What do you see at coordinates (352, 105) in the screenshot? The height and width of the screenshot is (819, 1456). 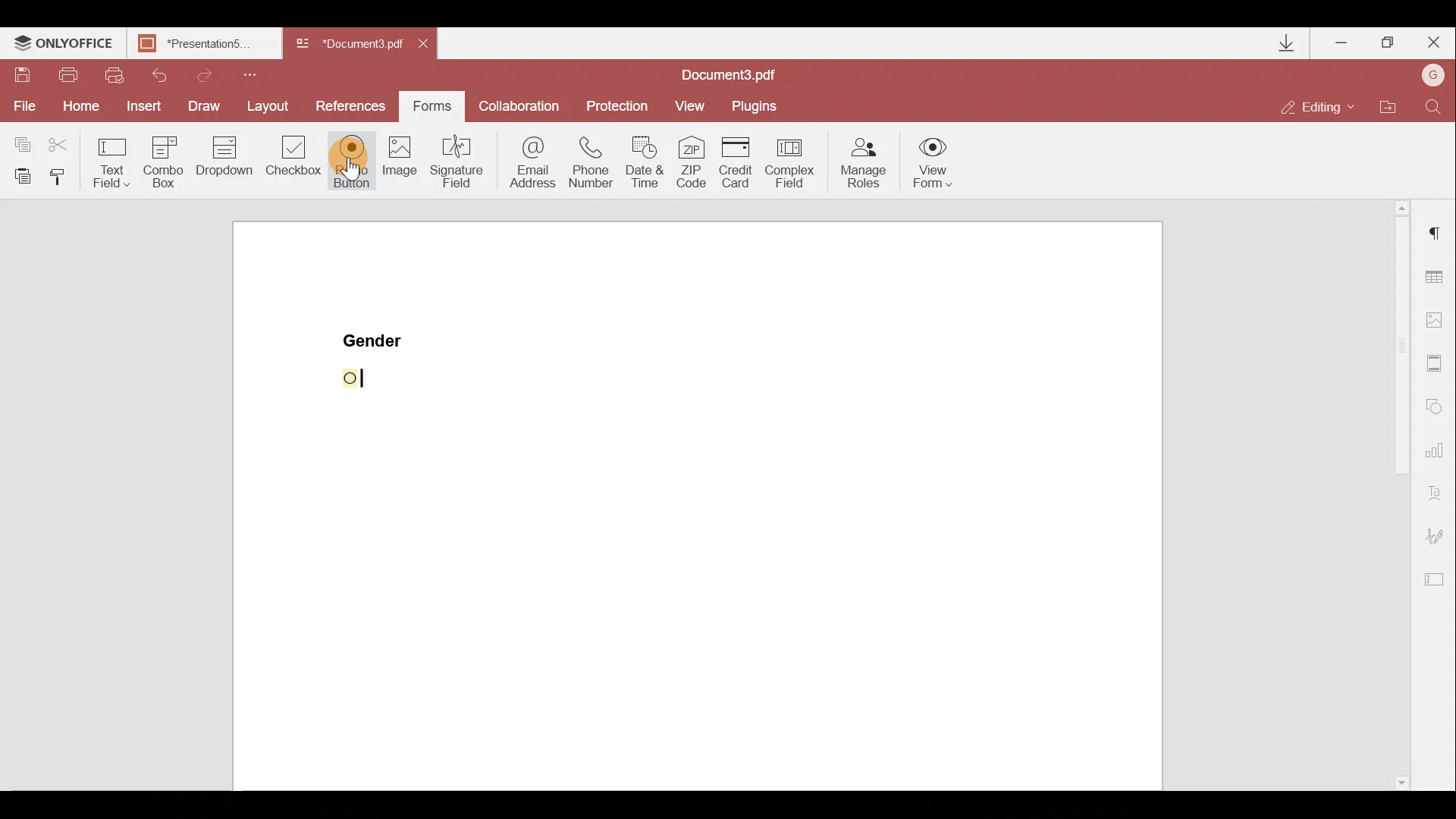 I see `References` at bounding box center [352, 105].